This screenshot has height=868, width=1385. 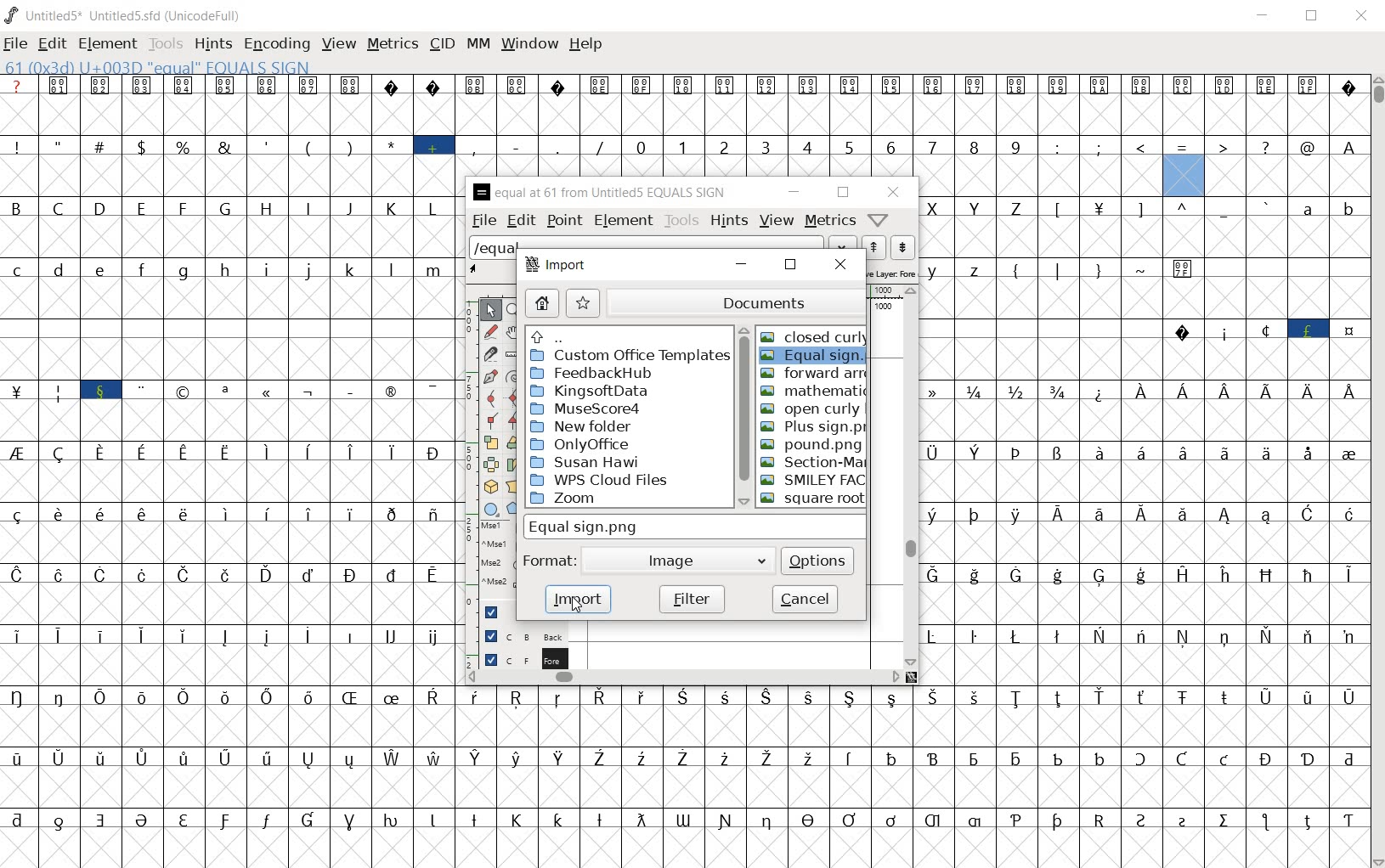 What do you see at coordinates (513, 332) in the screenshot?
I see `scroll by hand` at bounding box center [513, 332].